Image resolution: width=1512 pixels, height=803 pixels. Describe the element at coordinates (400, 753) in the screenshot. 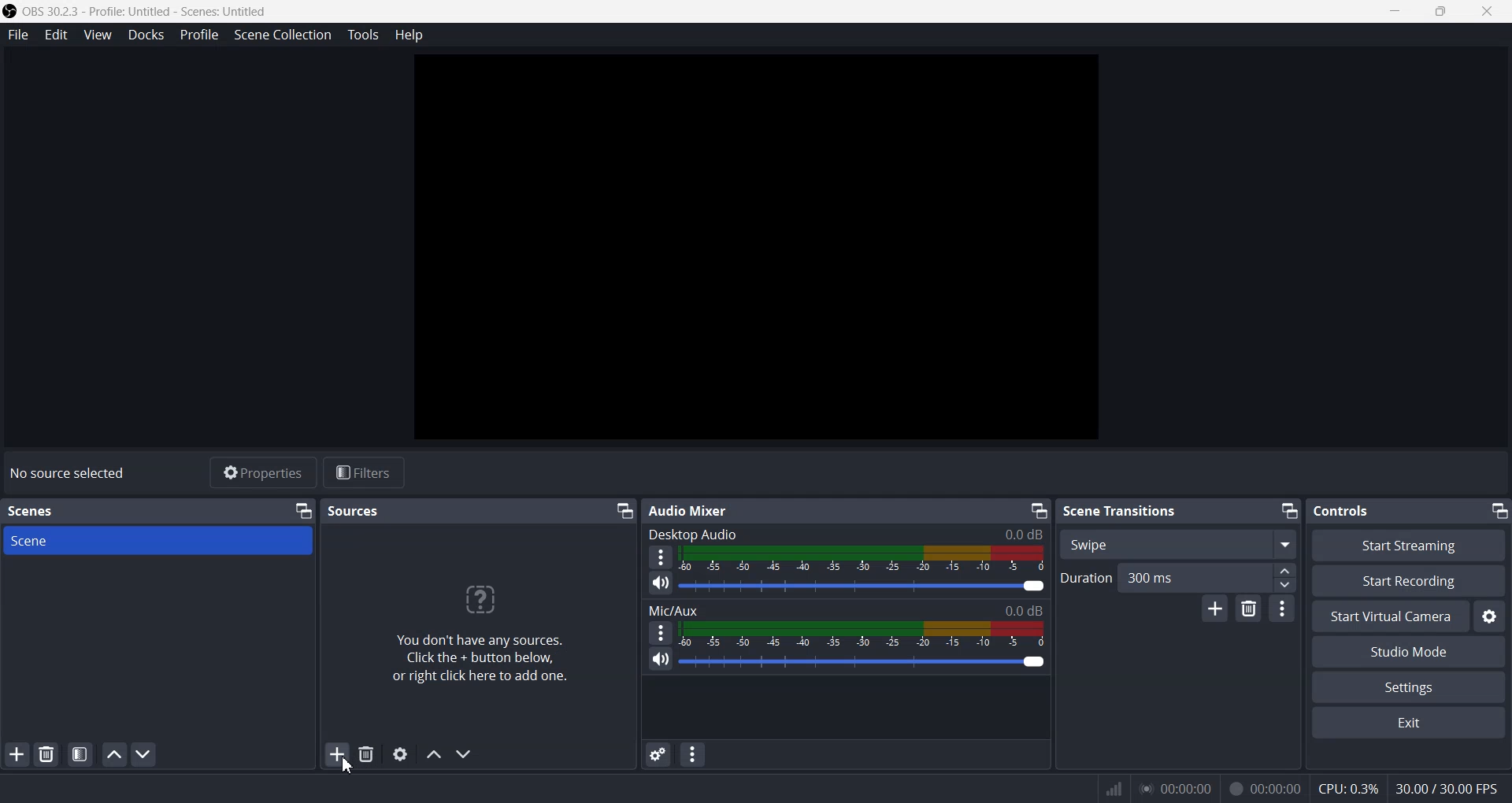

I see `Open source properties` at that location.